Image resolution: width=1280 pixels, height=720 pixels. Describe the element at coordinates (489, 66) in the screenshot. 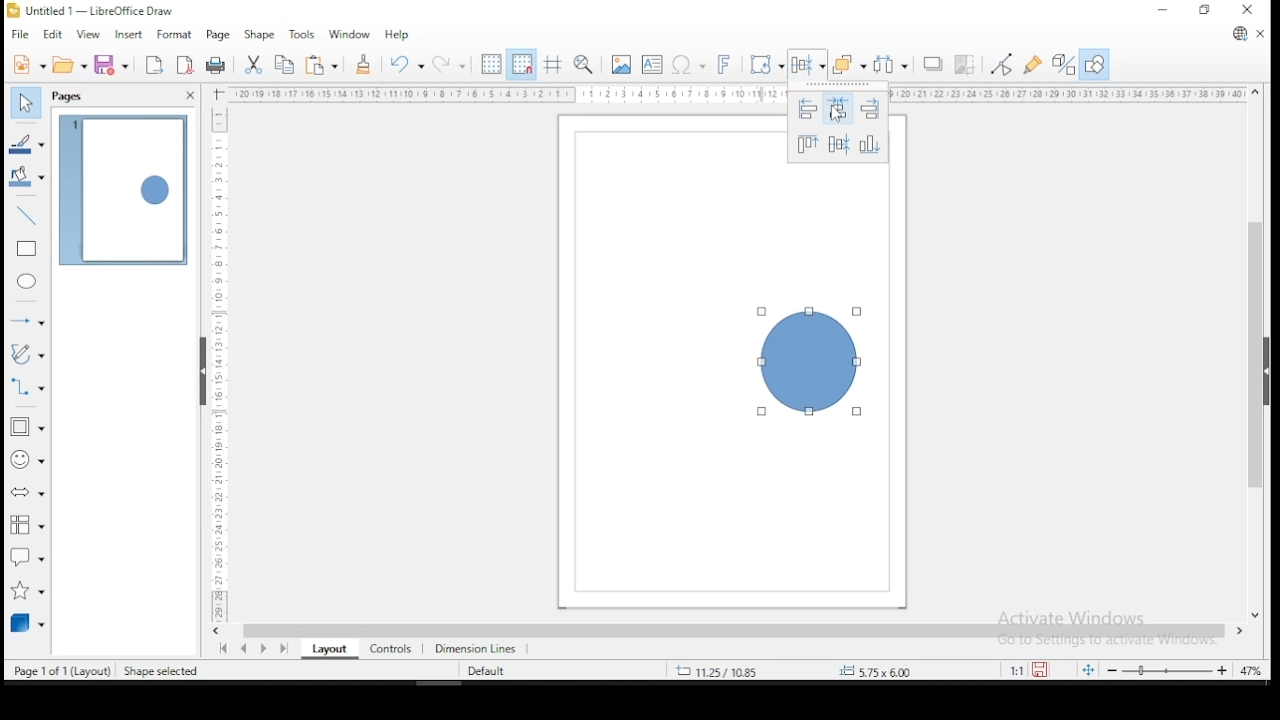

I see `show grids` at that location.